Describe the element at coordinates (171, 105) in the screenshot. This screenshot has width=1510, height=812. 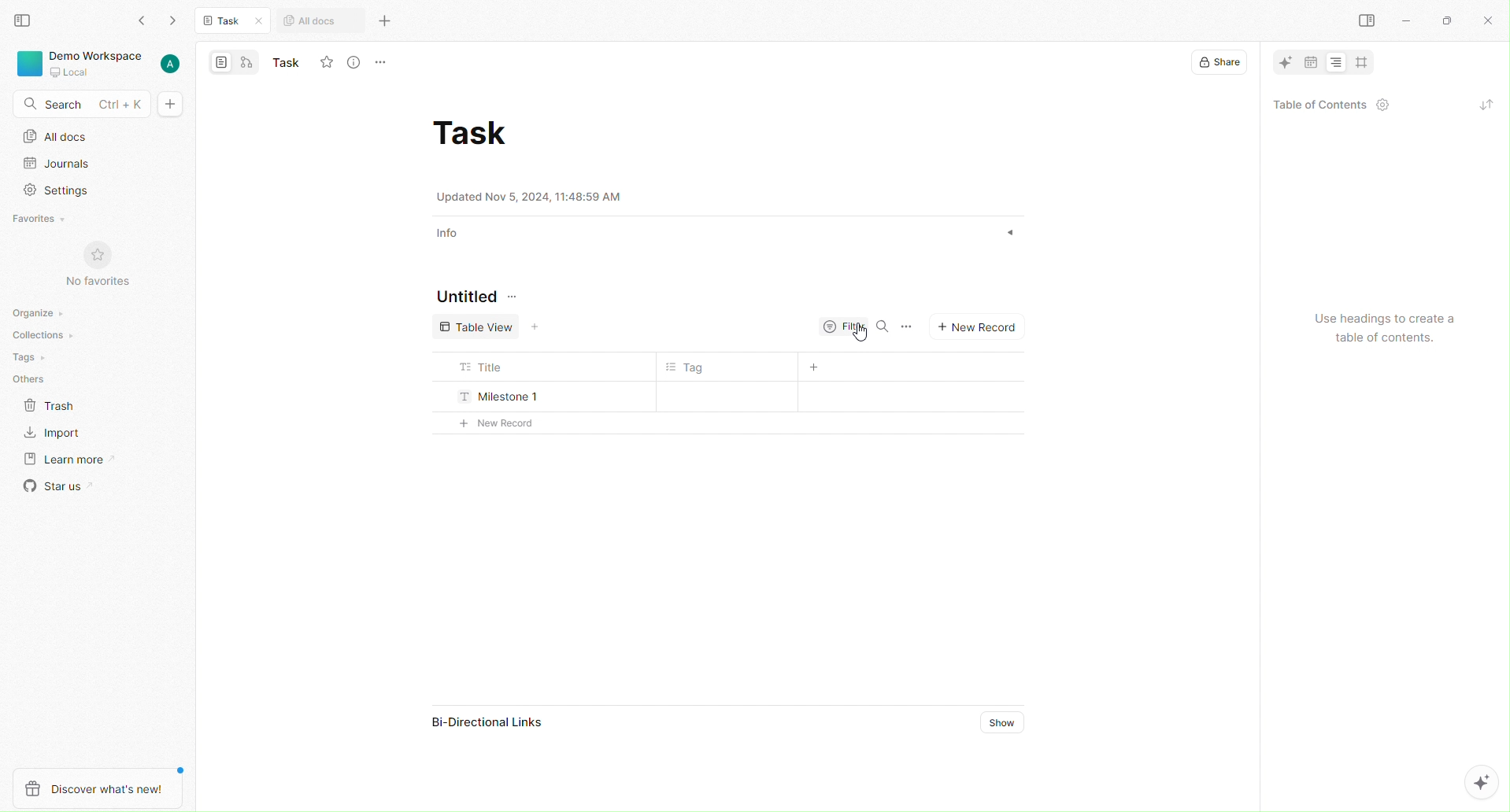
I see `Add` at that location.